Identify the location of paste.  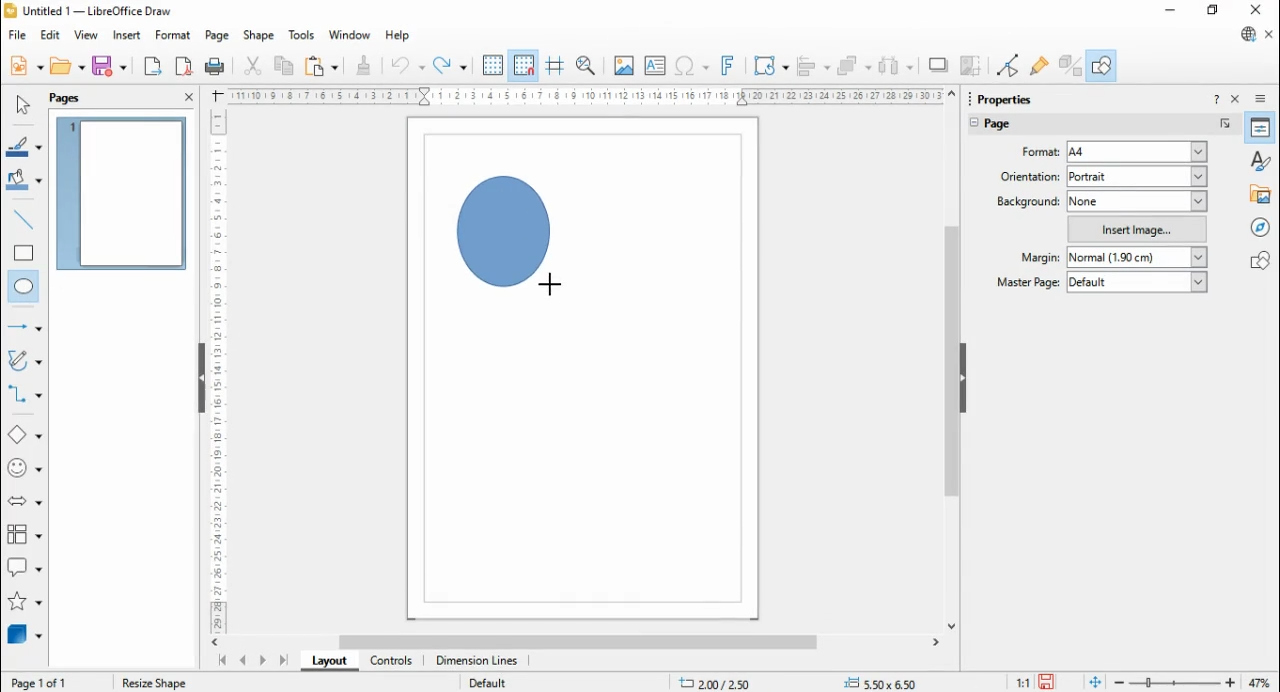
(320, 65).